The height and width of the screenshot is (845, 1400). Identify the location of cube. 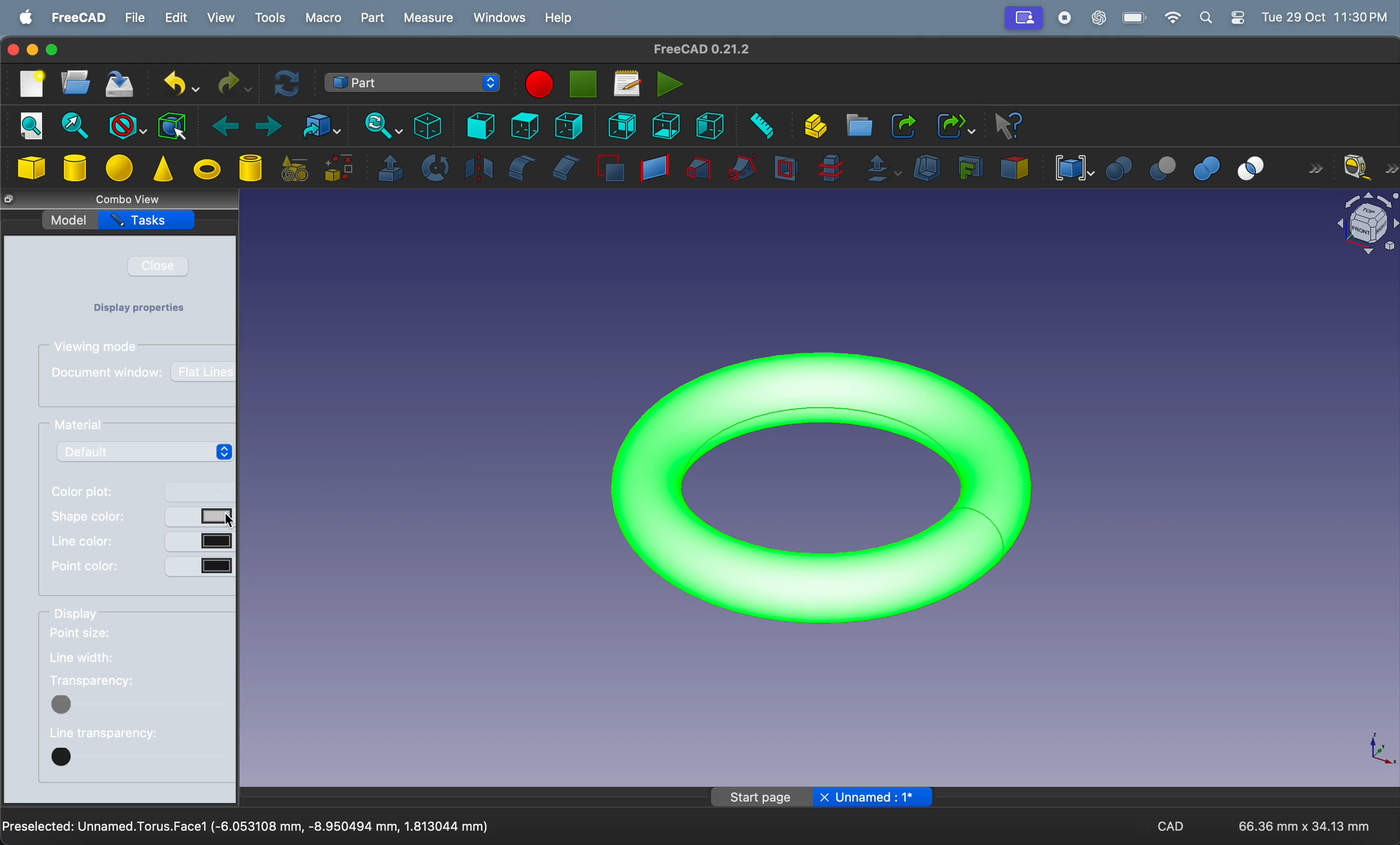
(34, 168).